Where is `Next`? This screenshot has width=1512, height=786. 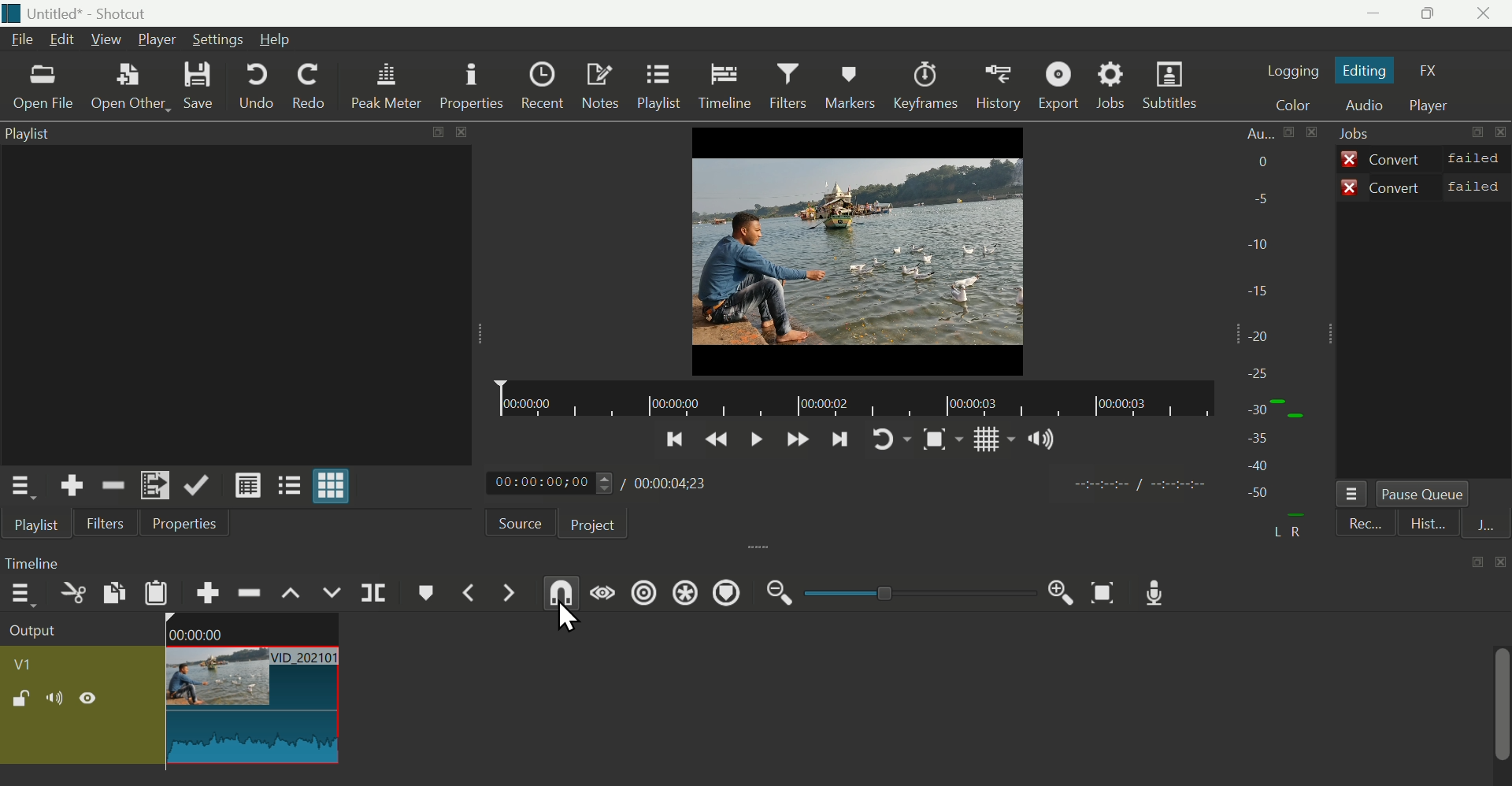
Next is located at coordinates (843, 441).